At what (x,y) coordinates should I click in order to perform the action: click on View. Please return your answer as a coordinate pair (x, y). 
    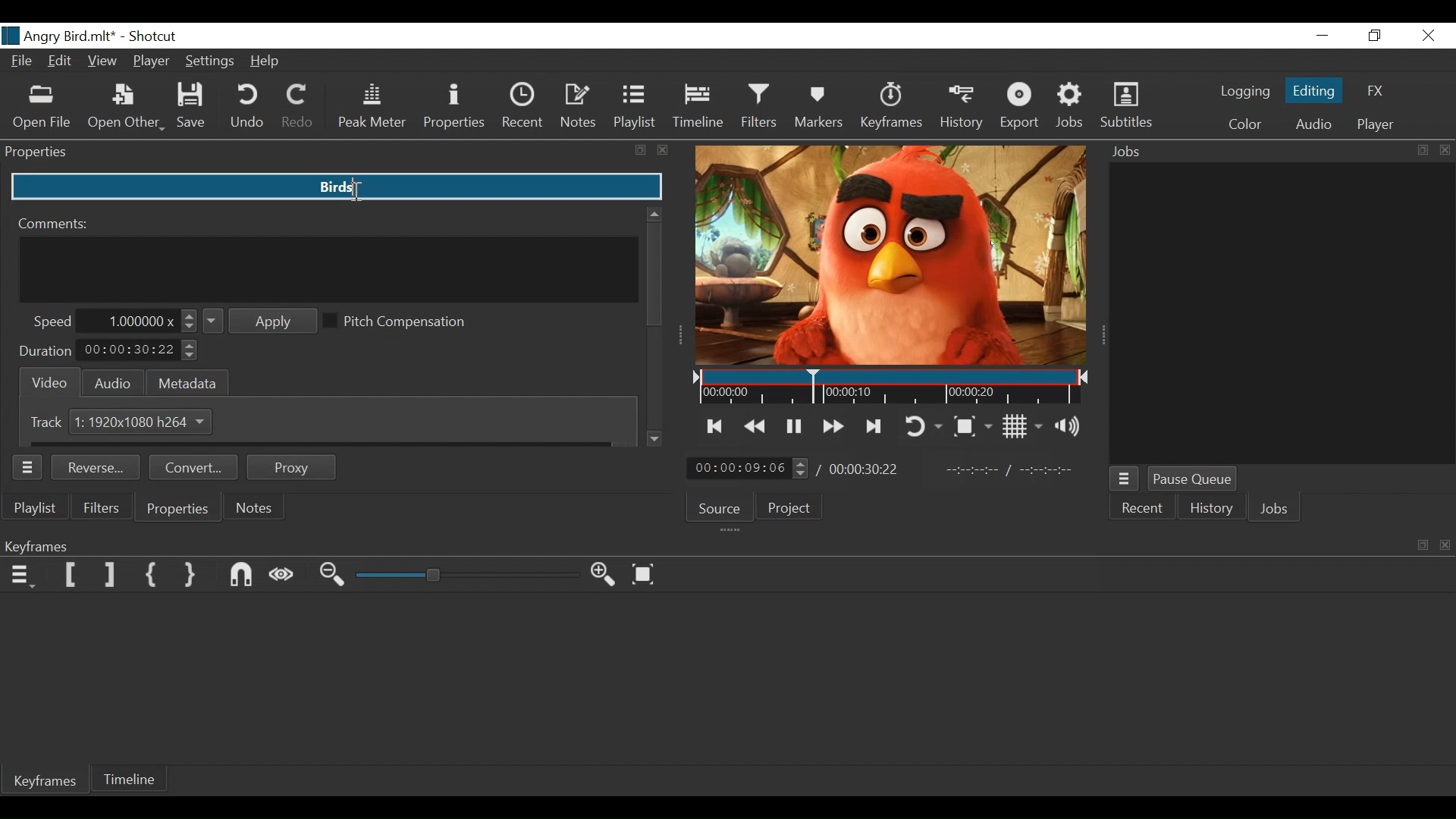
    Looking at the image, I should click on (104, 61).